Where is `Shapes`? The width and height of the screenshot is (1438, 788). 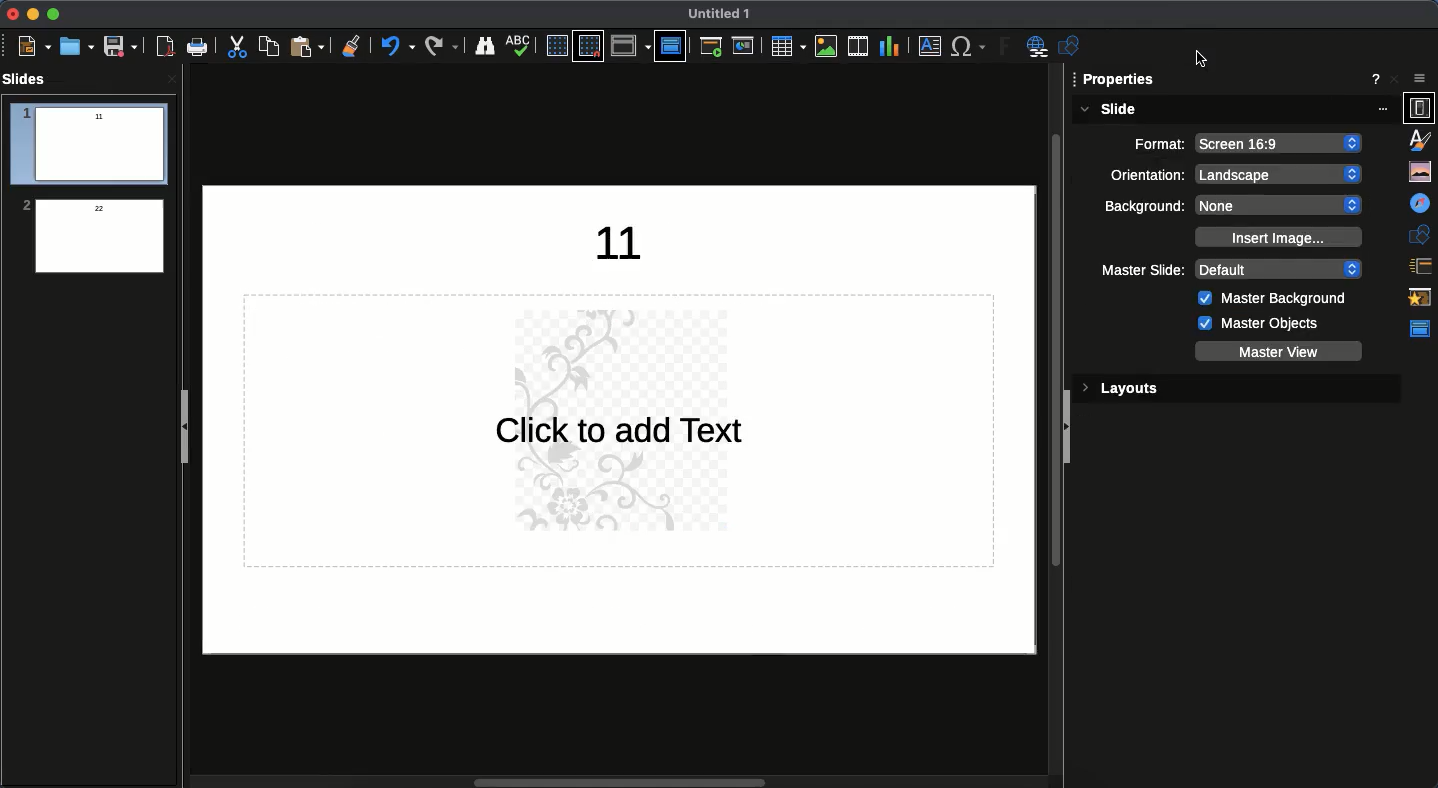 Shapes is located at coordinates (1072, 48).